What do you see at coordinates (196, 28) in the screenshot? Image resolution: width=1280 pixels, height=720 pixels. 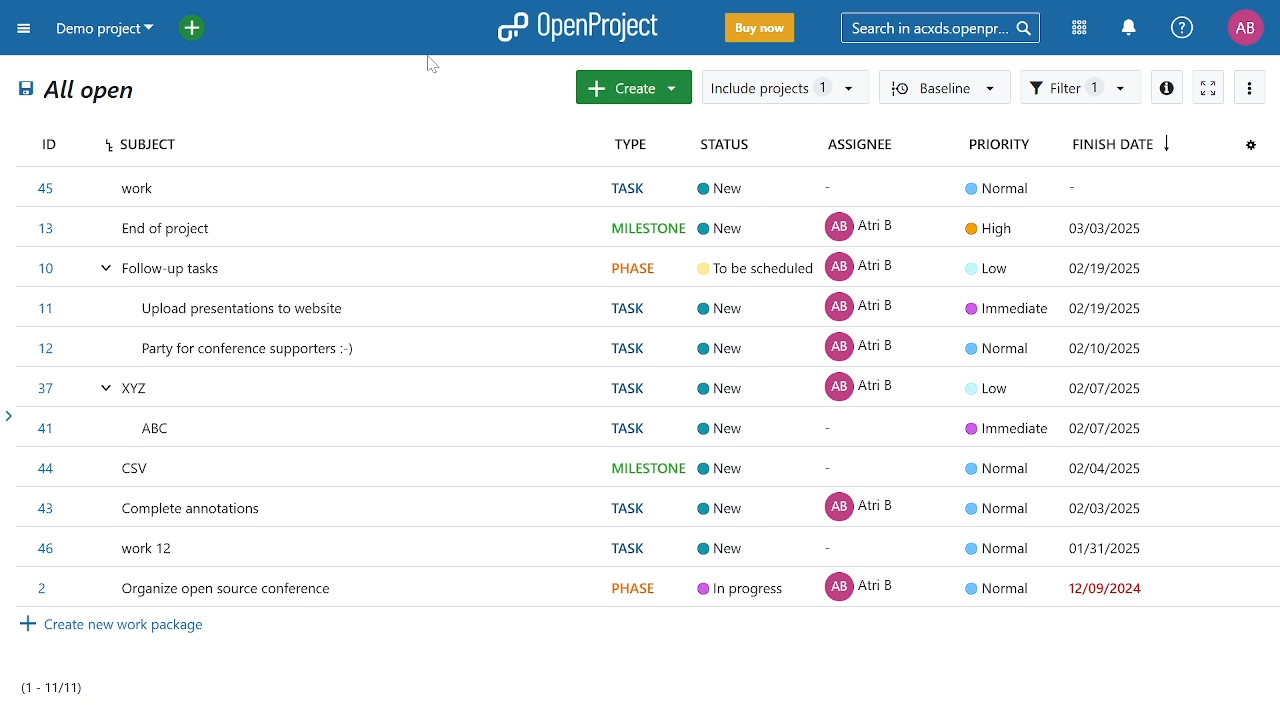 I see `open quick add menu` at bounding box center [196, 28].